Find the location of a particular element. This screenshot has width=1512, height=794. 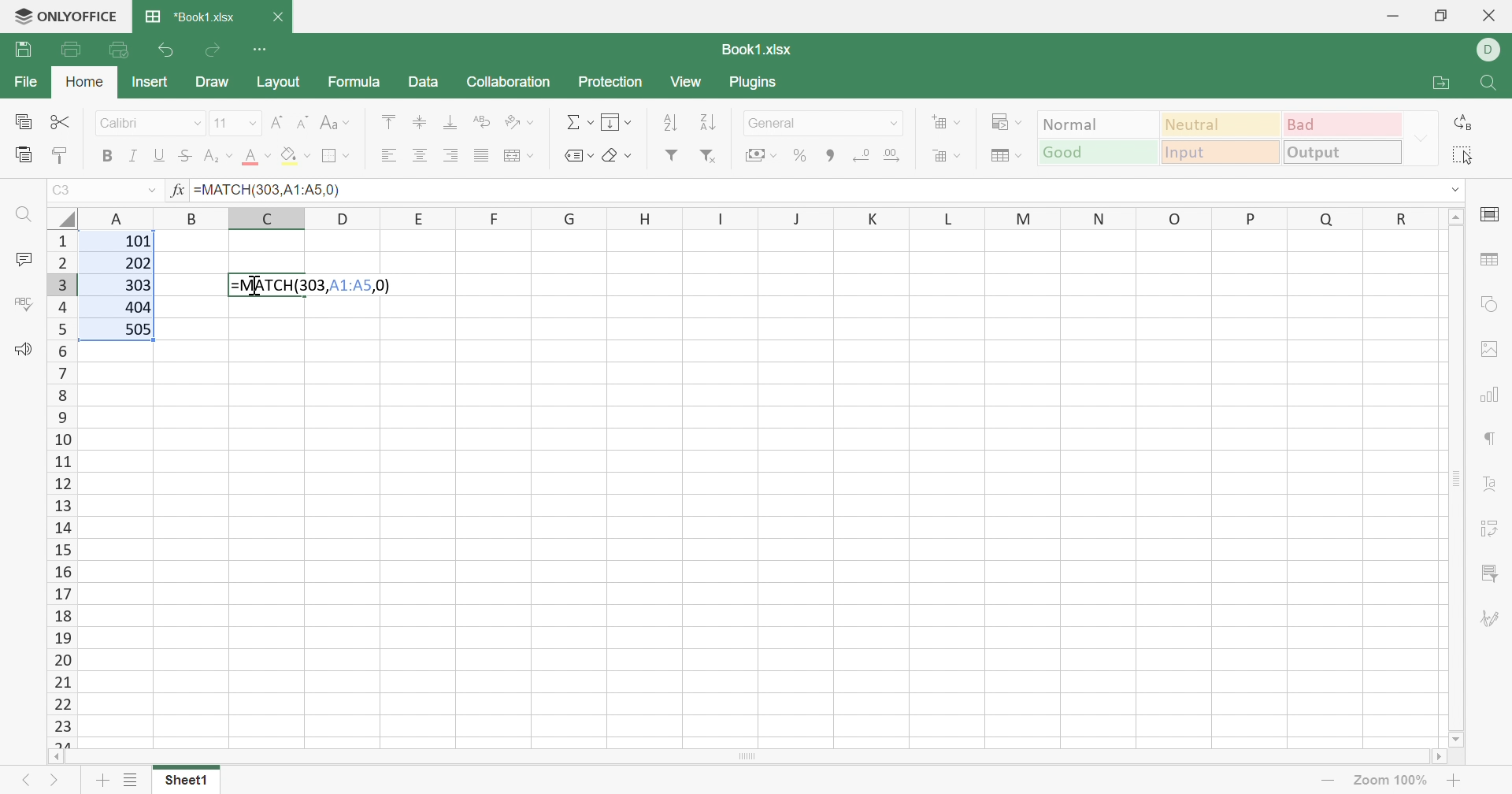

Superscript / Subscript is located at coordinates (219, 158).